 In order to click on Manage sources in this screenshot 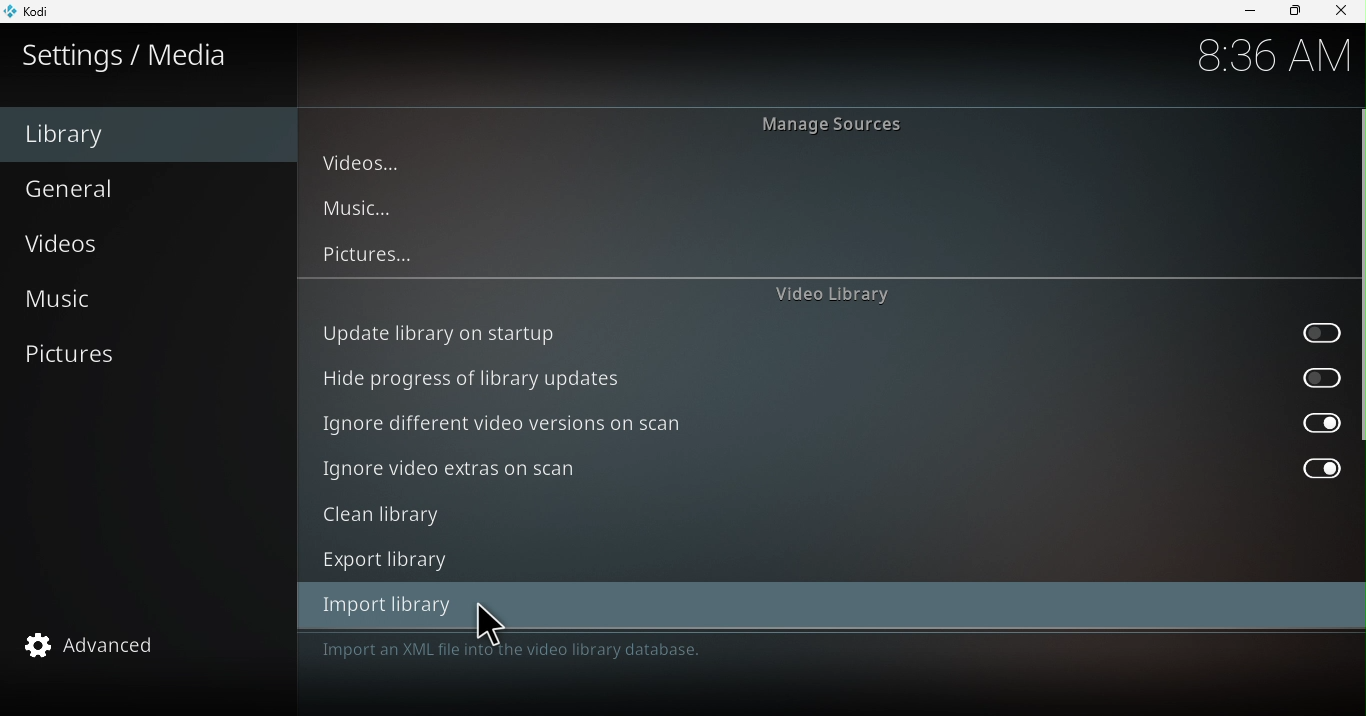, I will do `click(847, 126)`.